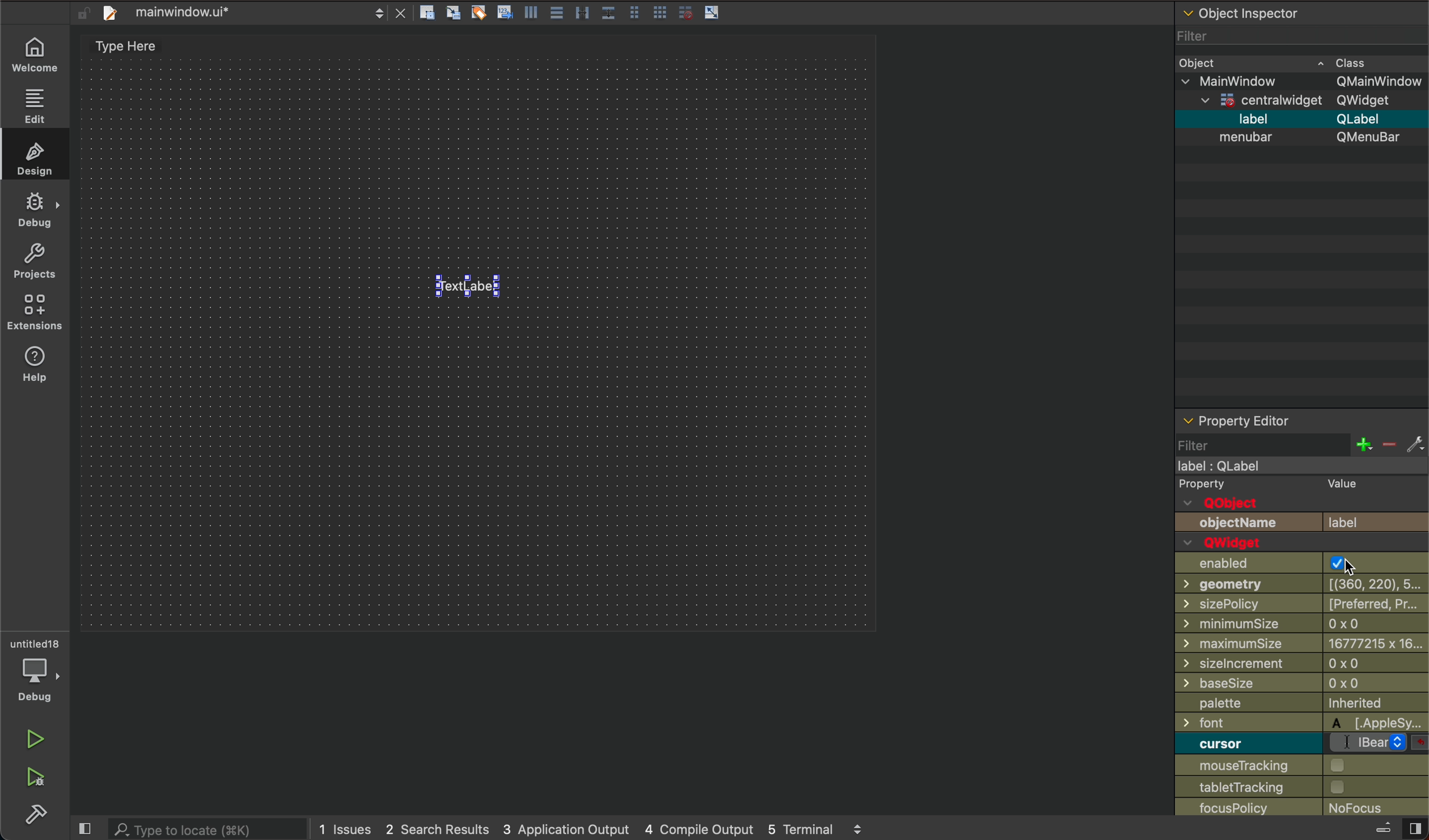 The width and height of the screenshot is (1429, 840). What do you see at coordinates (798, 829) in the screenshot?
I see `5 terminal` at bounding box center [798, 829].